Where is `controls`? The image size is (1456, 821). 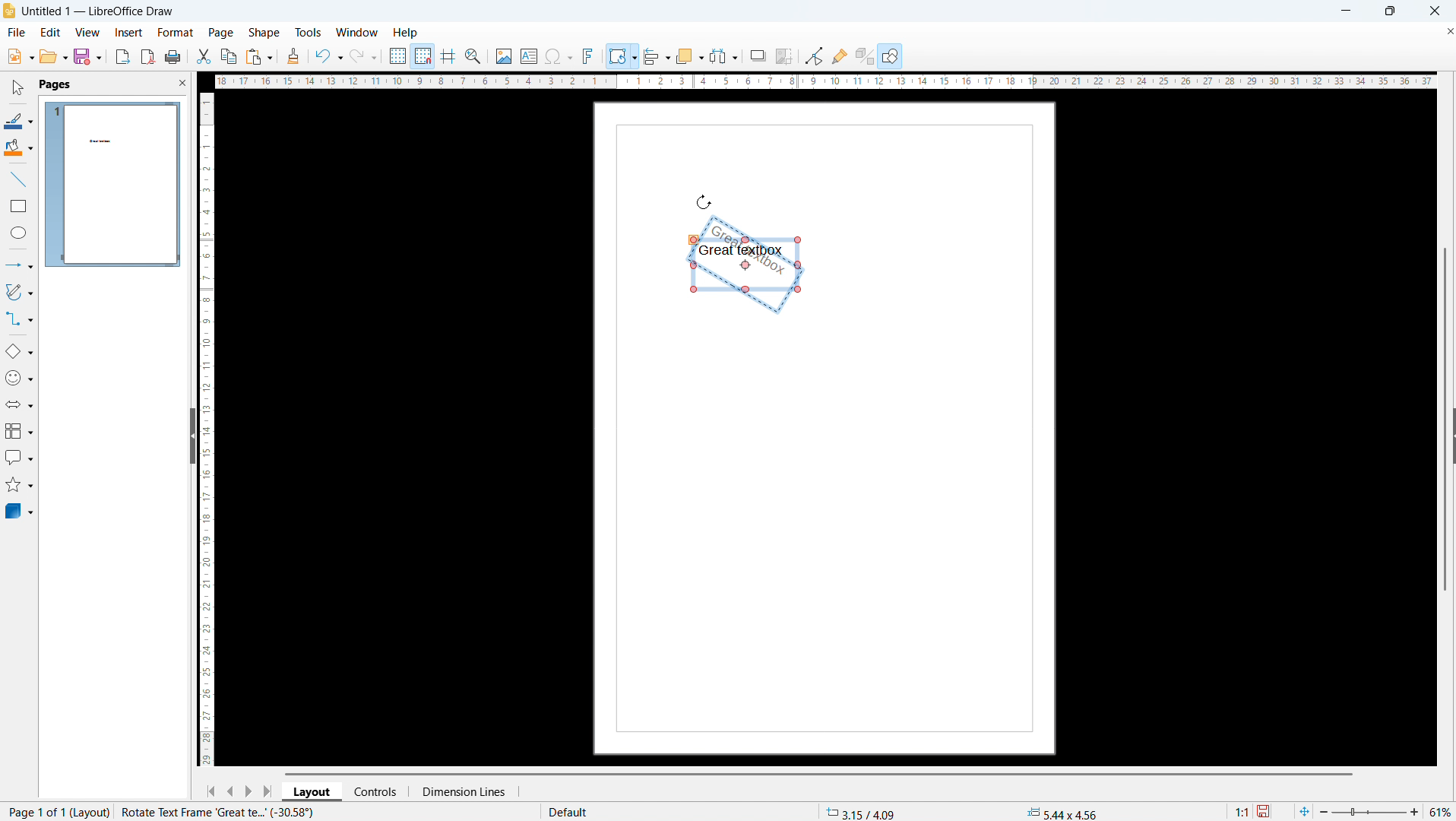 controls is located at coordinates (378, 791).